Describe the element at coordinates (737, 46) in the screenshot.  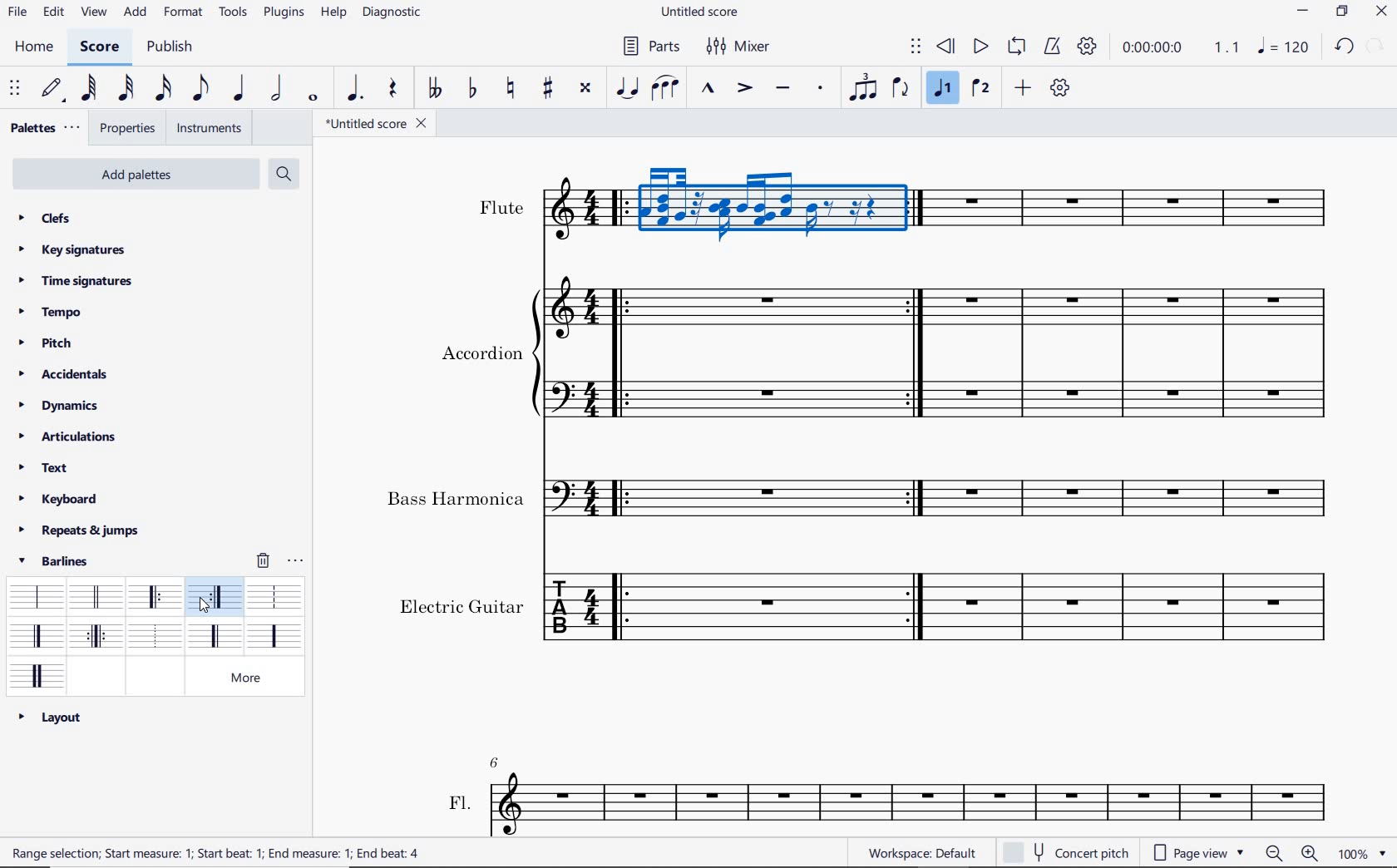
I see `MIXER` at that location.